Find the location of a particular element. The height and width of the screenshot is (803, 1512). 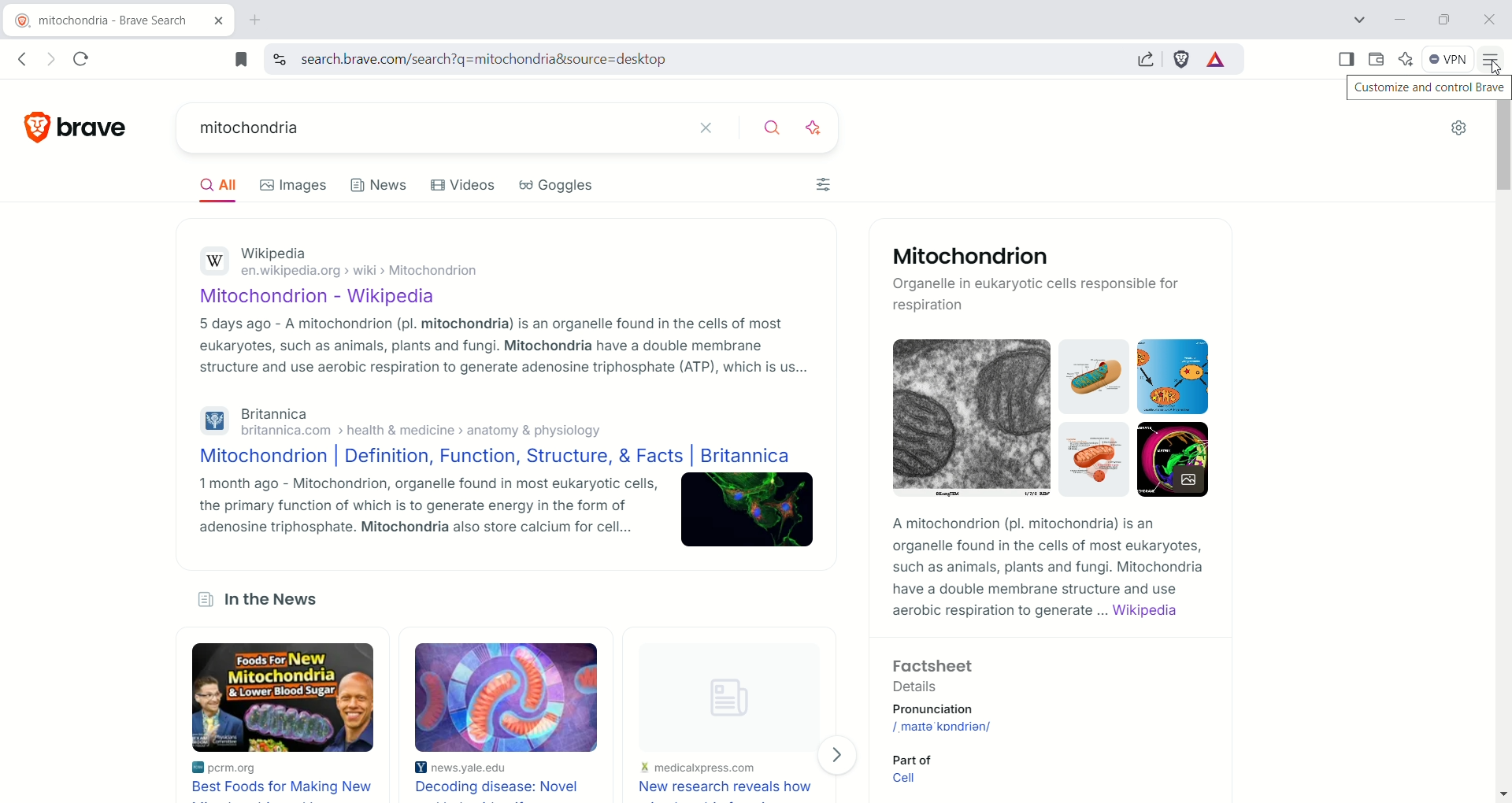

search.brave.com/search?q=mitochondria&source=desktop is located at coordinates (691, 61).